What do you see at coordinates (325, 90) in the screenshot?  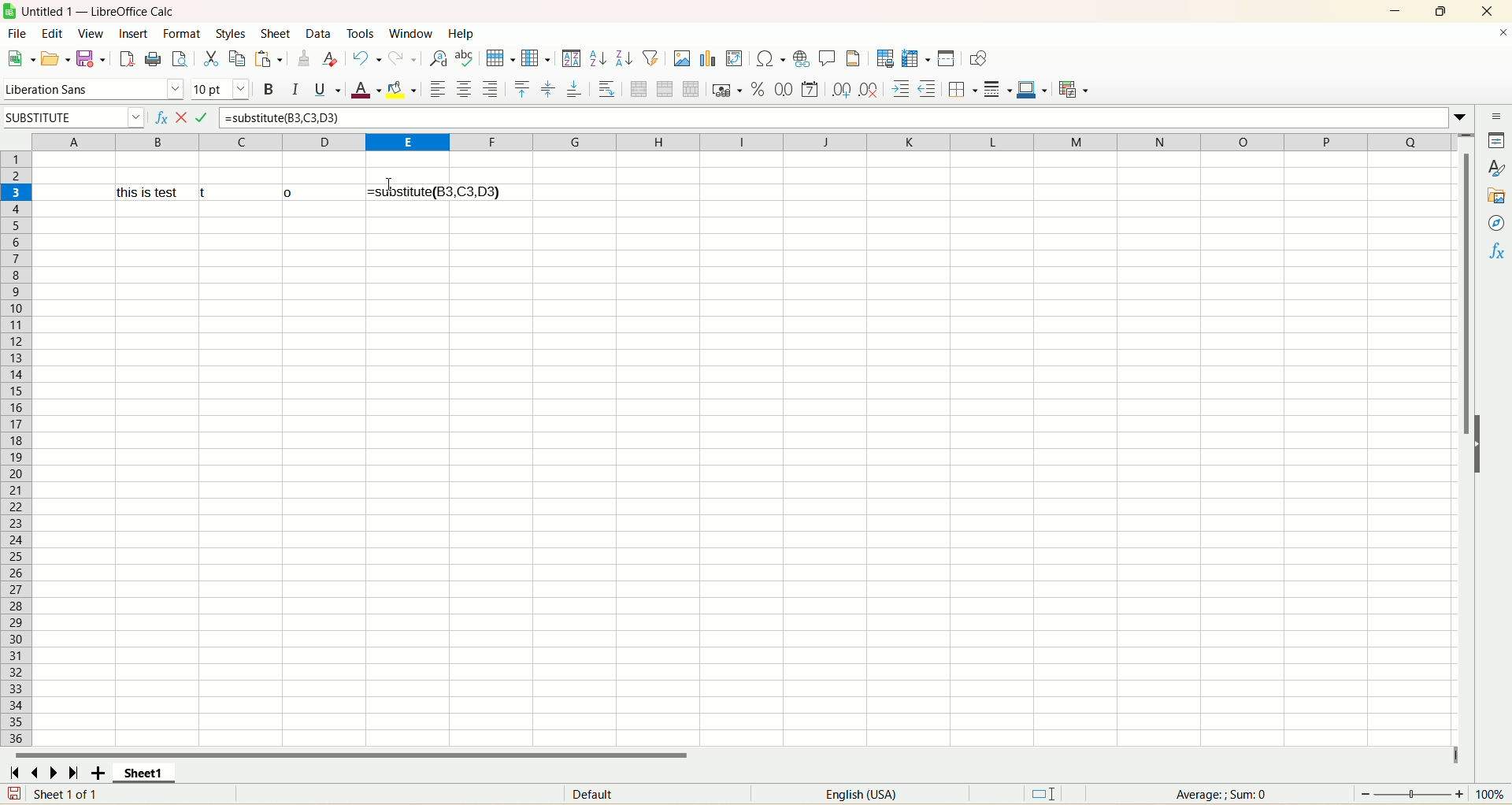 I see `underline` at bounding box center [325, 90].